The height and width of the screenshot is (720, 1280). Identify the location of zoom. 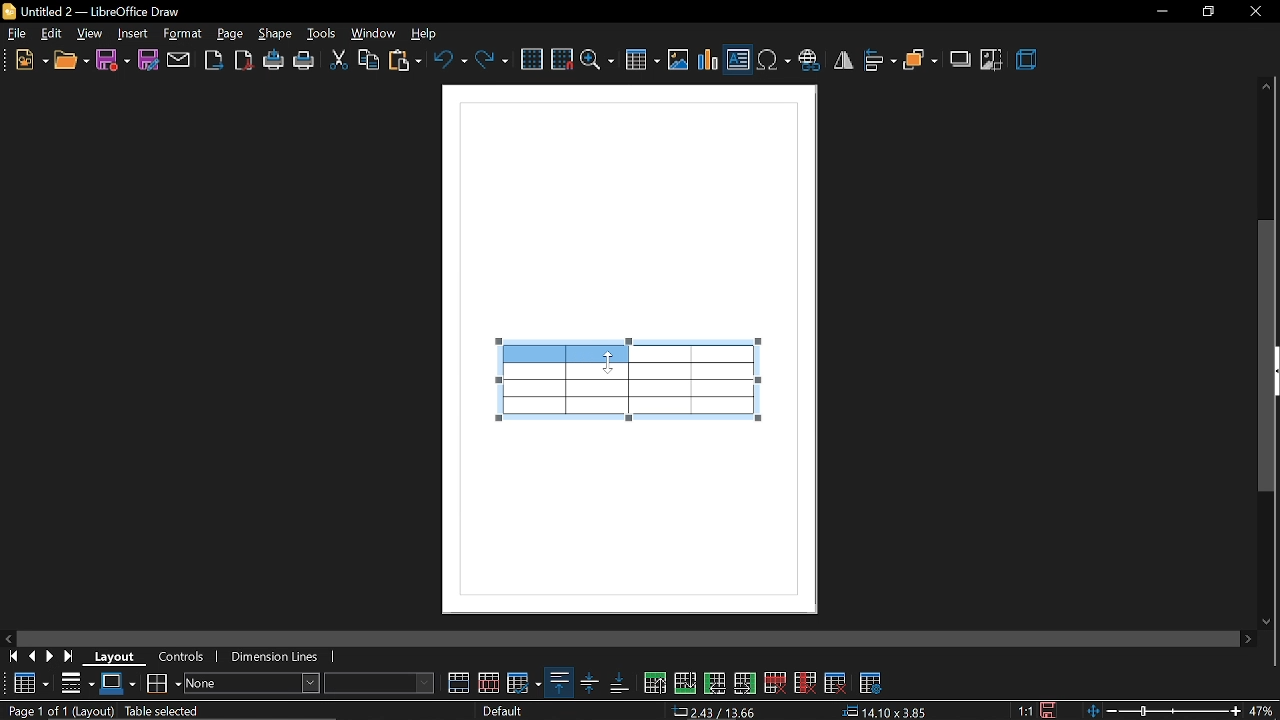
(598, 60).